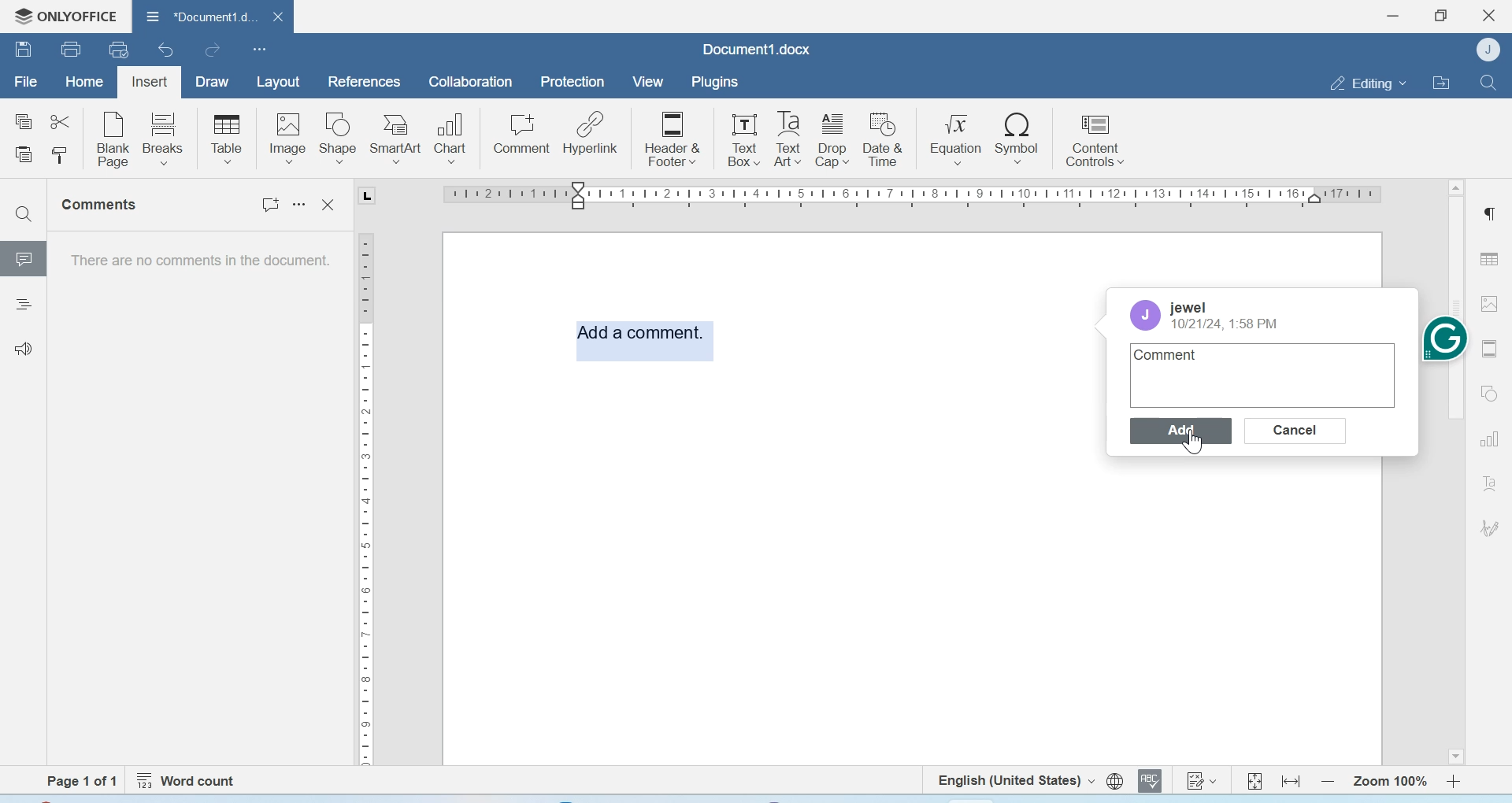  What do you see at coordinates (1150, 780) in the screenshot?
I see `Spell checking` at bounding box center [1150, 780].